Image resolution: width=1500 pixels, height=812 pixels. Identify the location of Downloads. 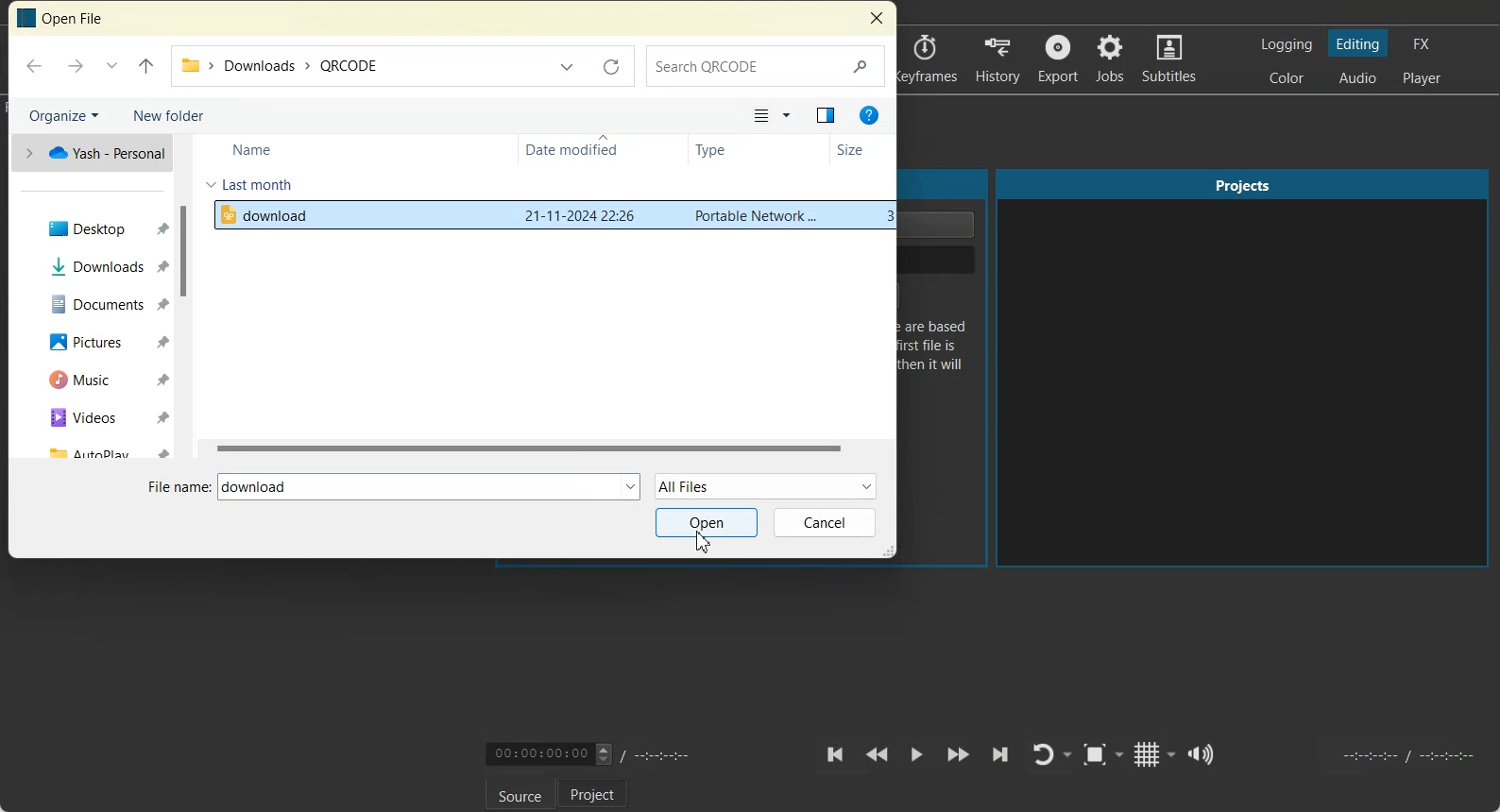
(100, 265).